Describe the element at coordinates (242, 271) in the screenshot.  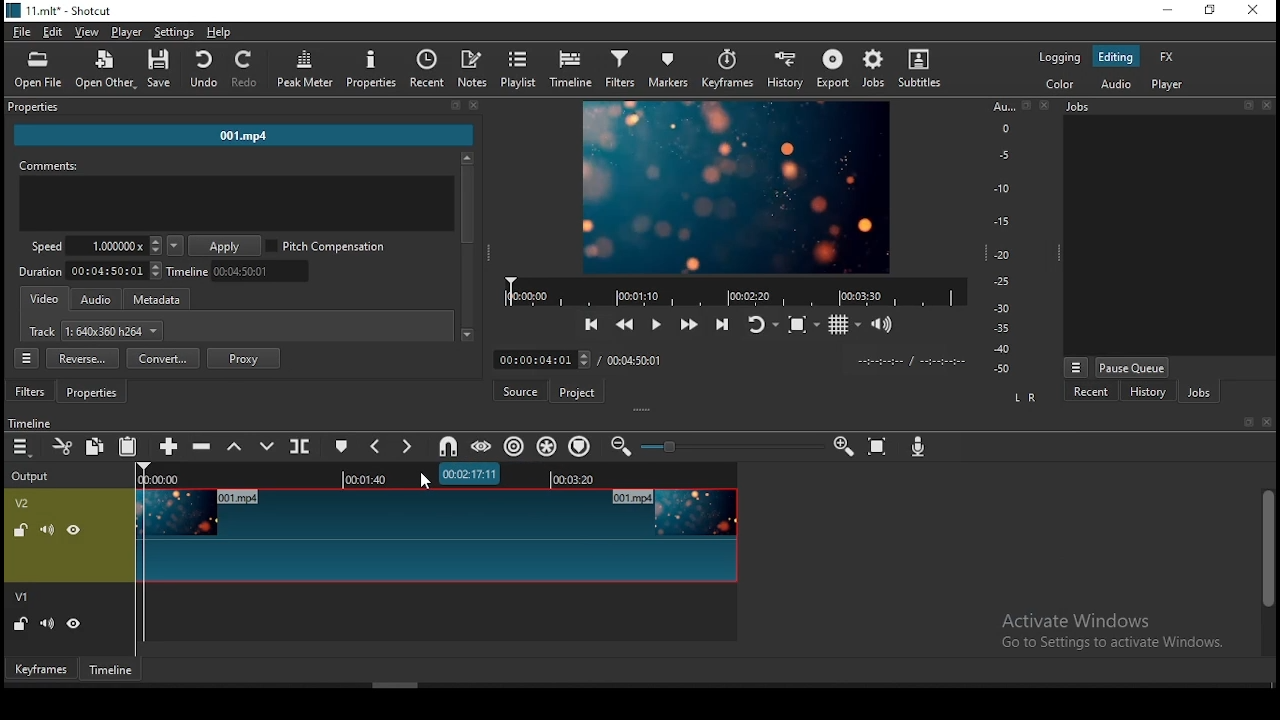
I see `timeline` at that location.